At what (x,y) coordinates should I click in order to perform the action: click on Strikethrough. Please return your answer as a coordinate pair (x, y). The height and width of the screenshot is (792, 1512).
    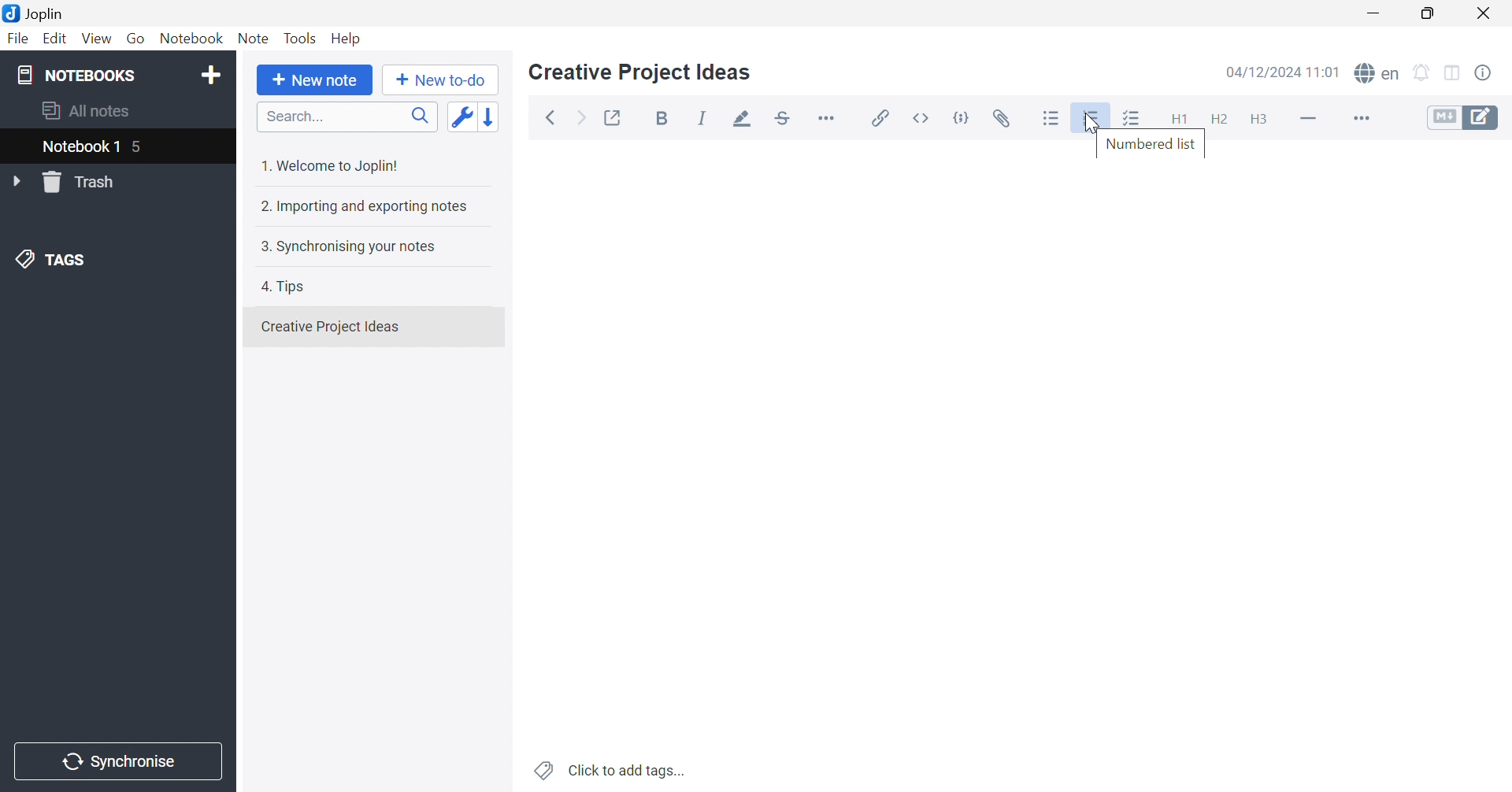
    Looking at the image, I should click on (787, 120).